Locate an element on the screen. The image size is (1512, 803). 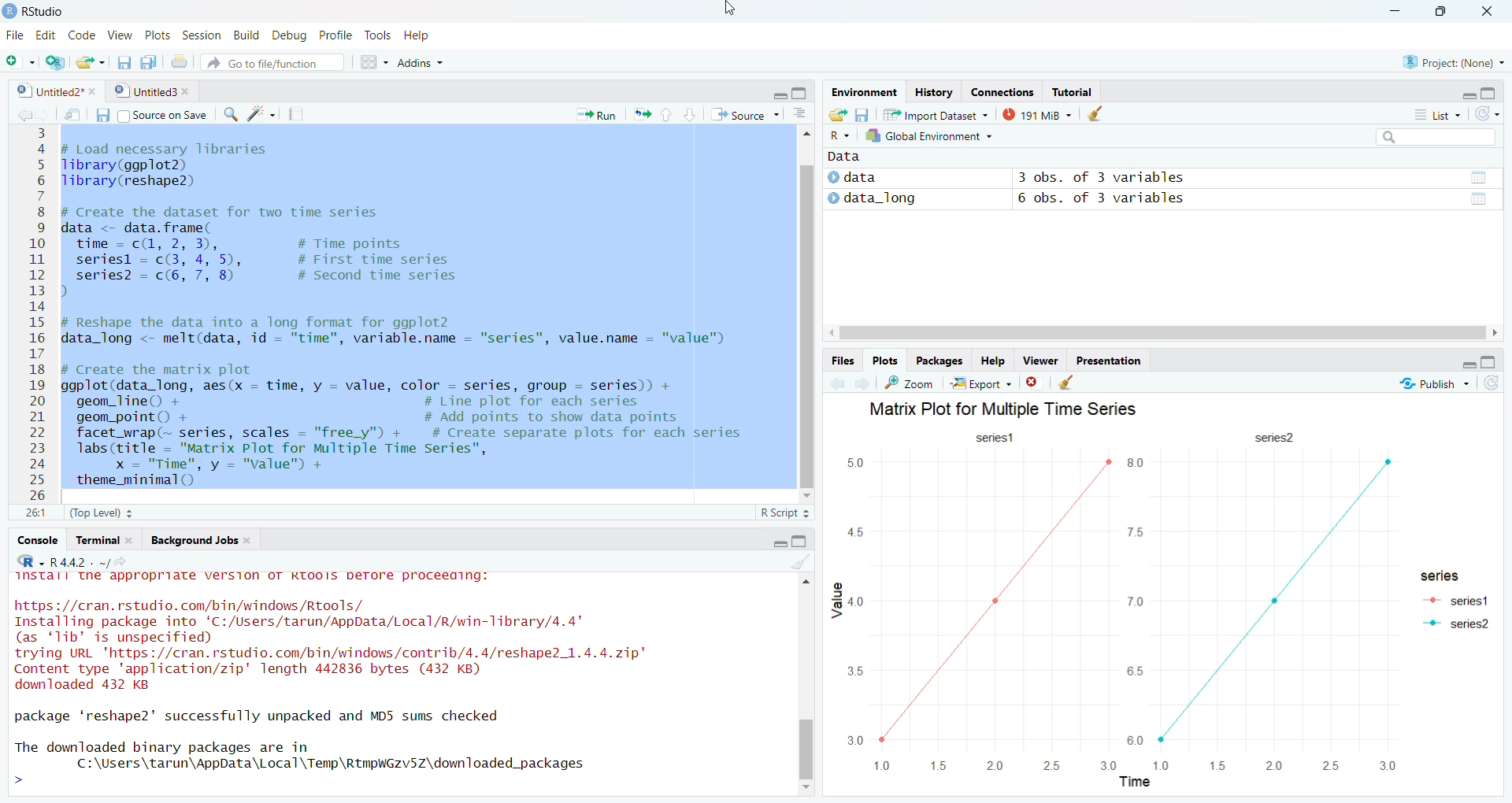
Document outline is located at coordinates (800, 116).